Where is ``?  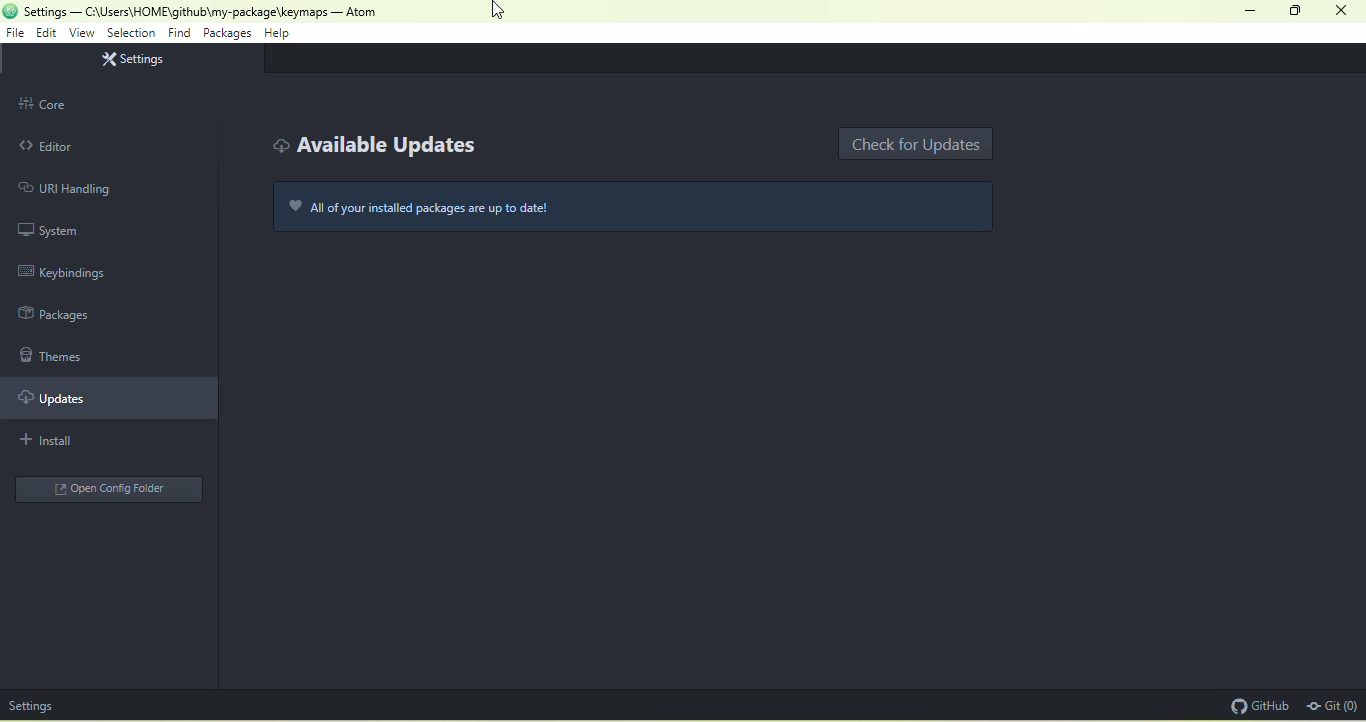  is located at coordinates (67, 317).